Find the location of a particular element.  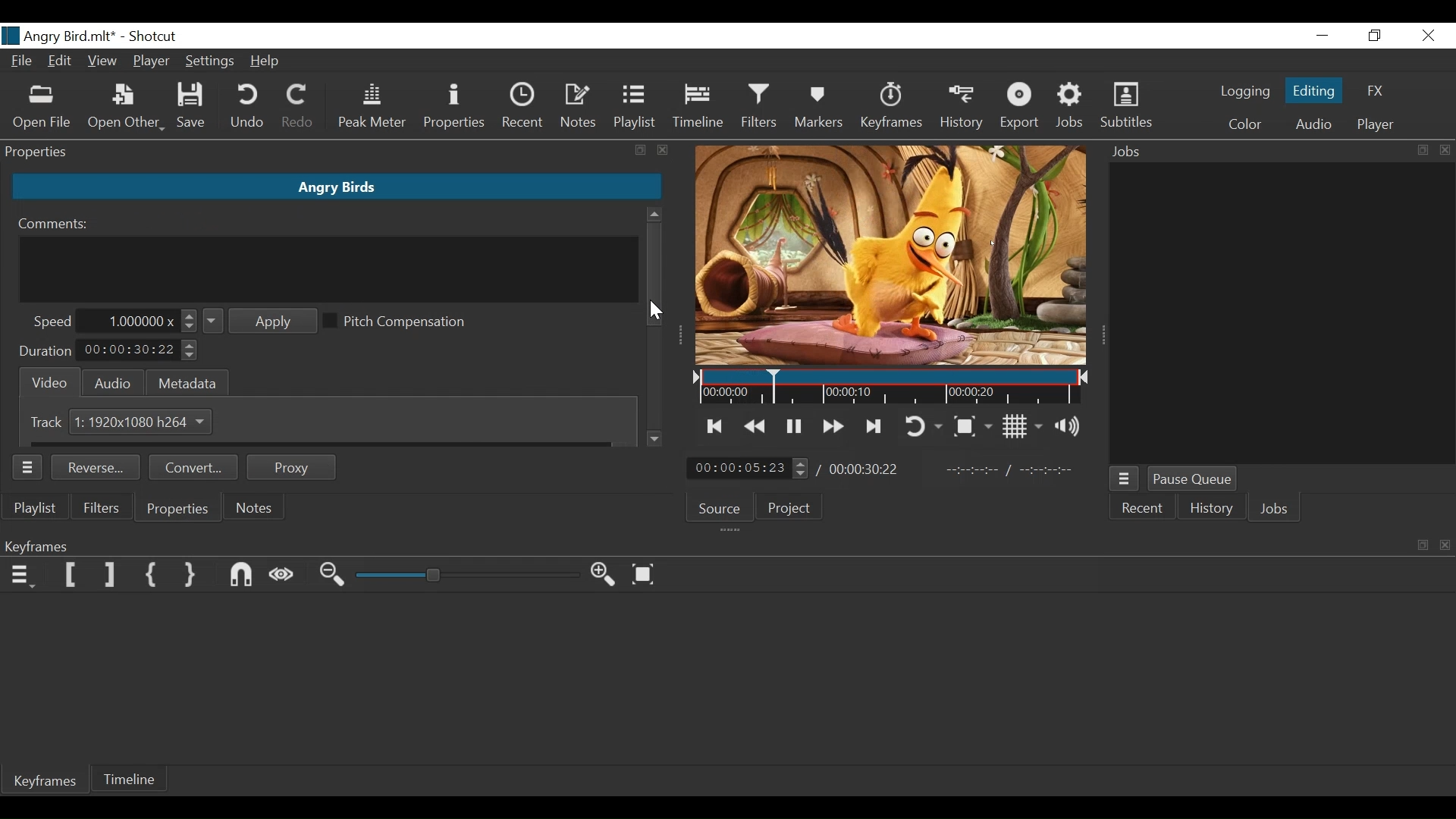

Play forward quickly is located at coordinates (831, 425).